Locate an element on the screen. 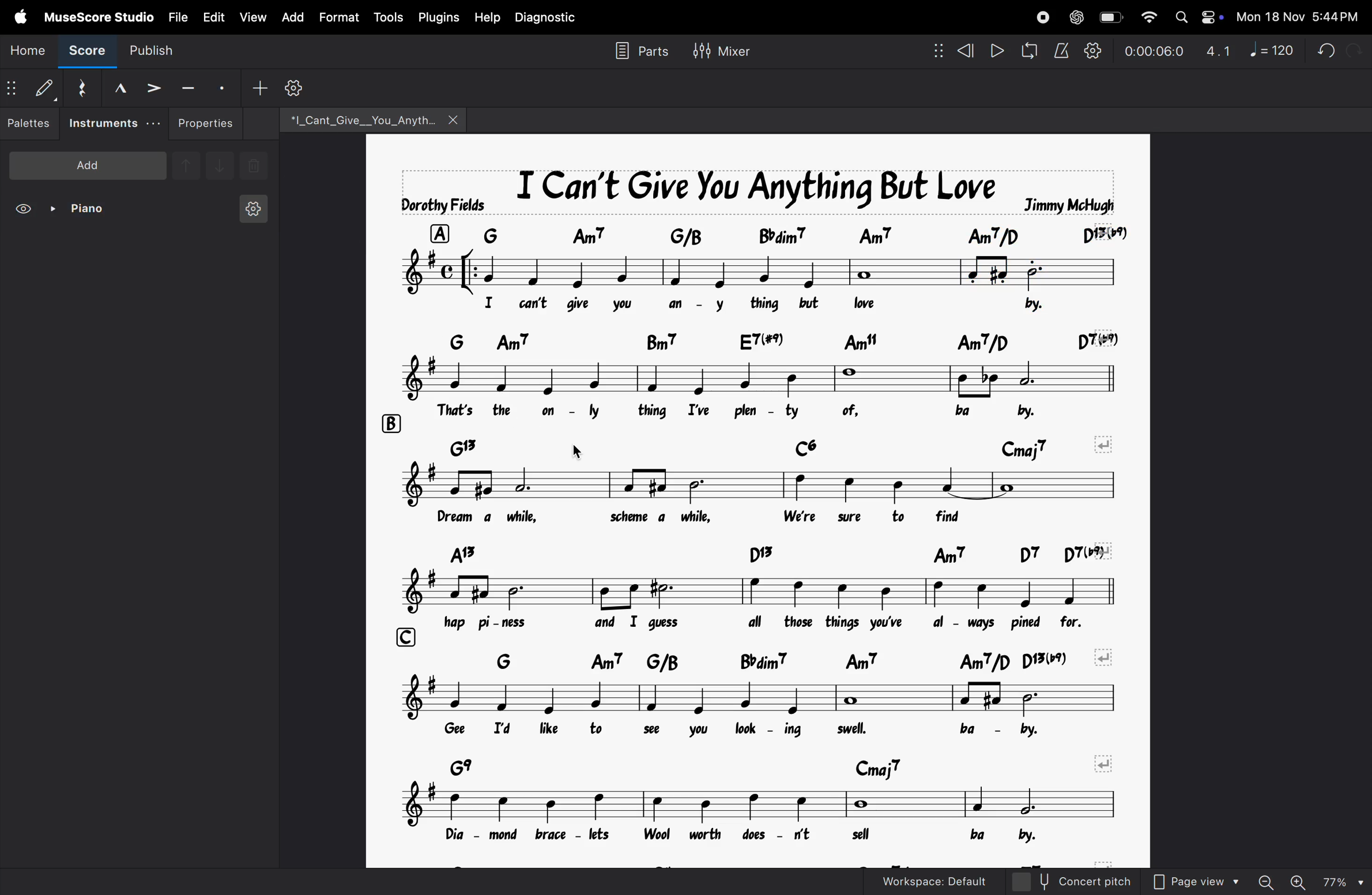 This screenshot has height=895, width=1372. record is located at coordinates (1041, 17).